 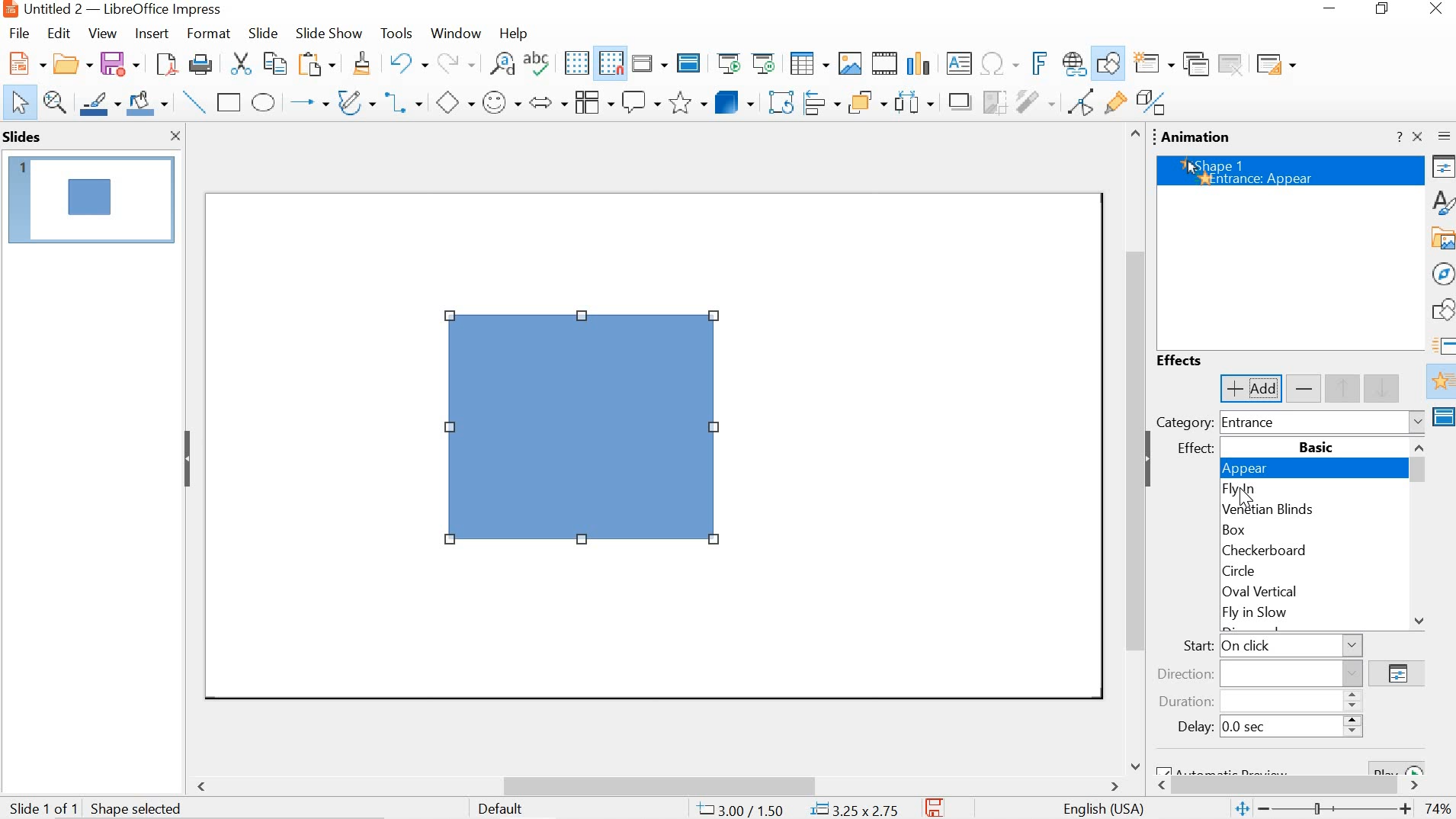 What do you see at coordinates (24, 62) in the screenshot?
I see `open` at bounding box center [24, 62].